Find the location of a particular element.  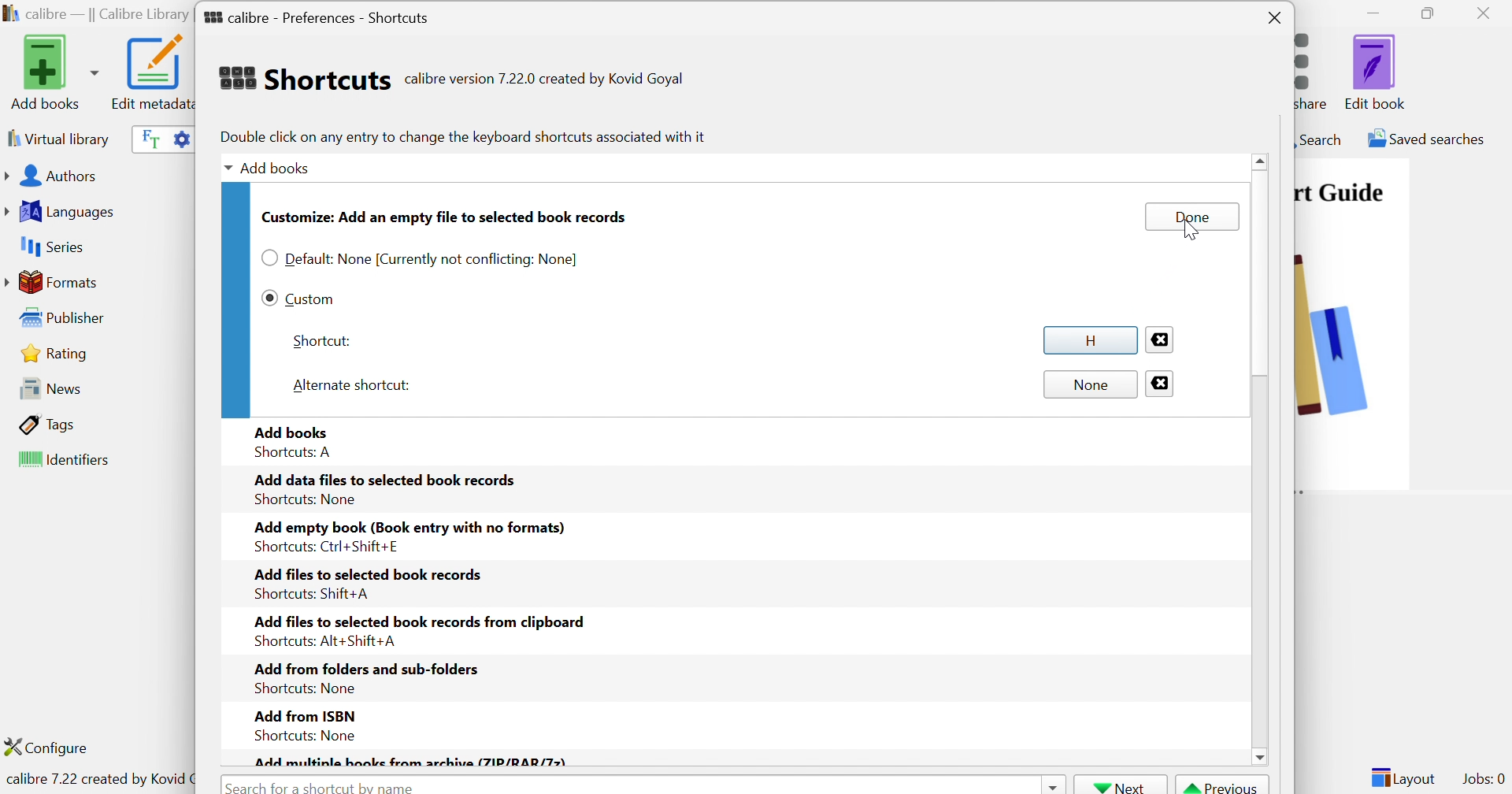

News is located at coordinates (46, 388).